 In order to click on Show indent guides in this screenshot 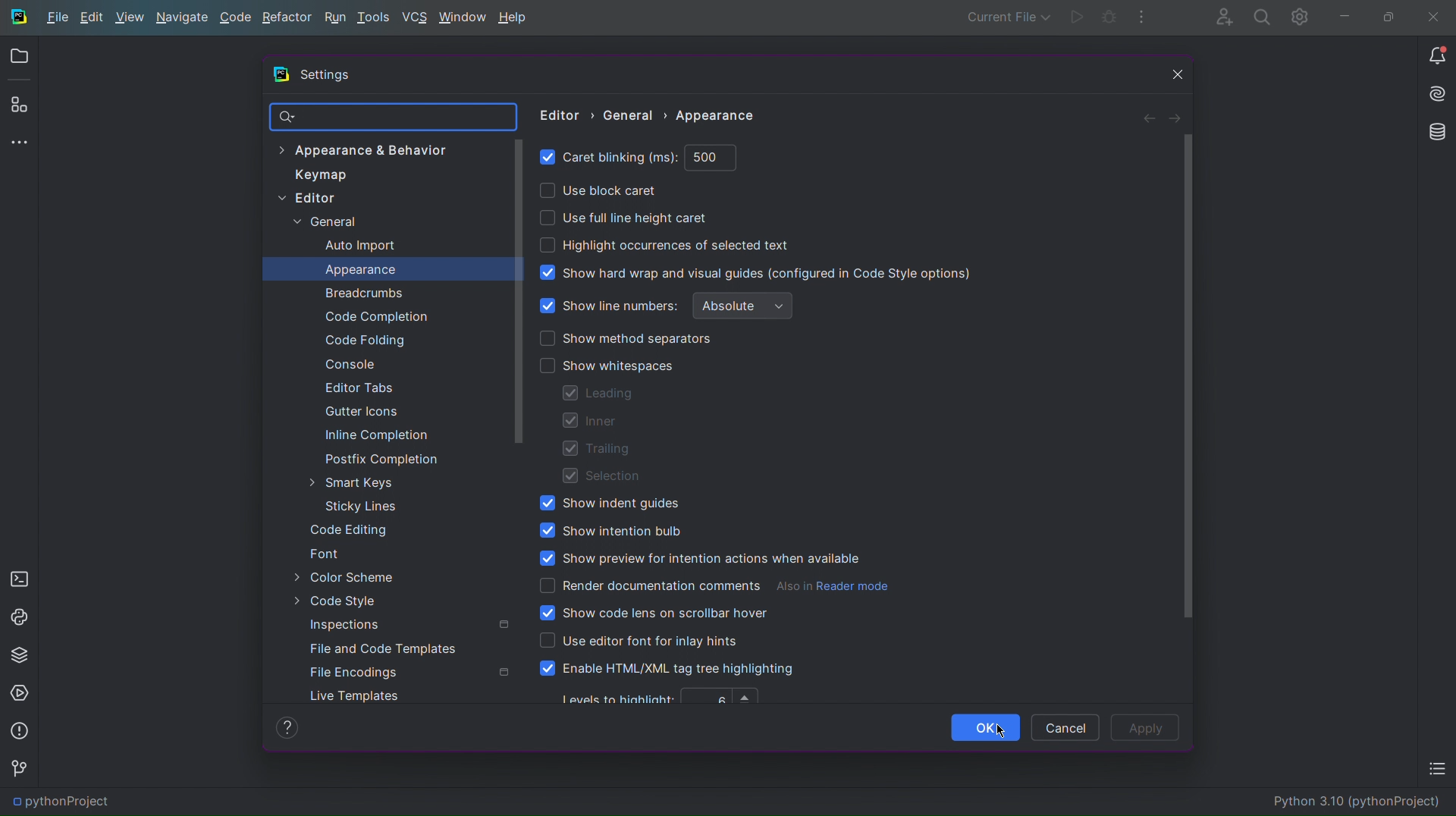, I will do `click(604, 505)`.